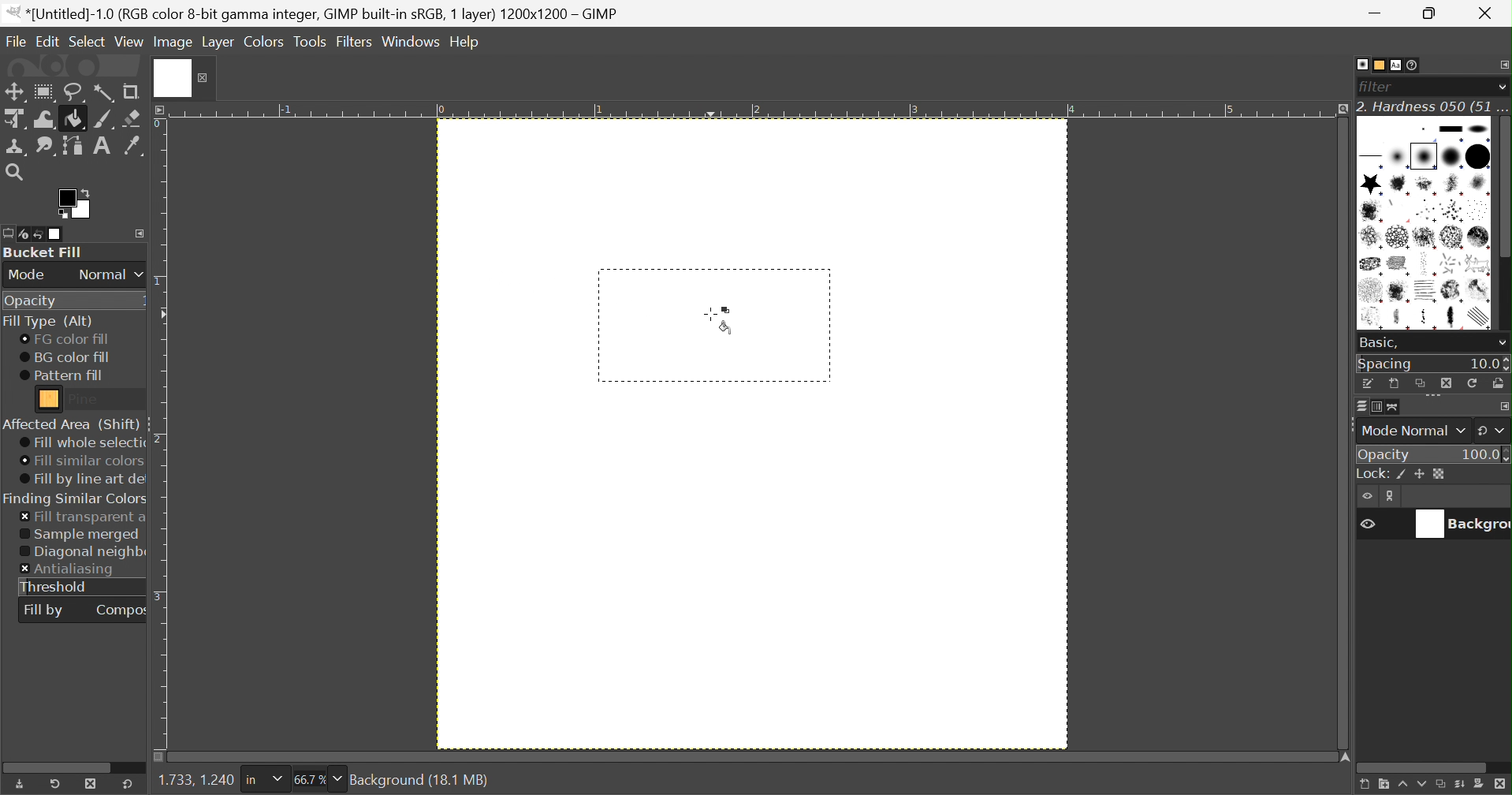  I want to click on Space, so click(1386, 364).